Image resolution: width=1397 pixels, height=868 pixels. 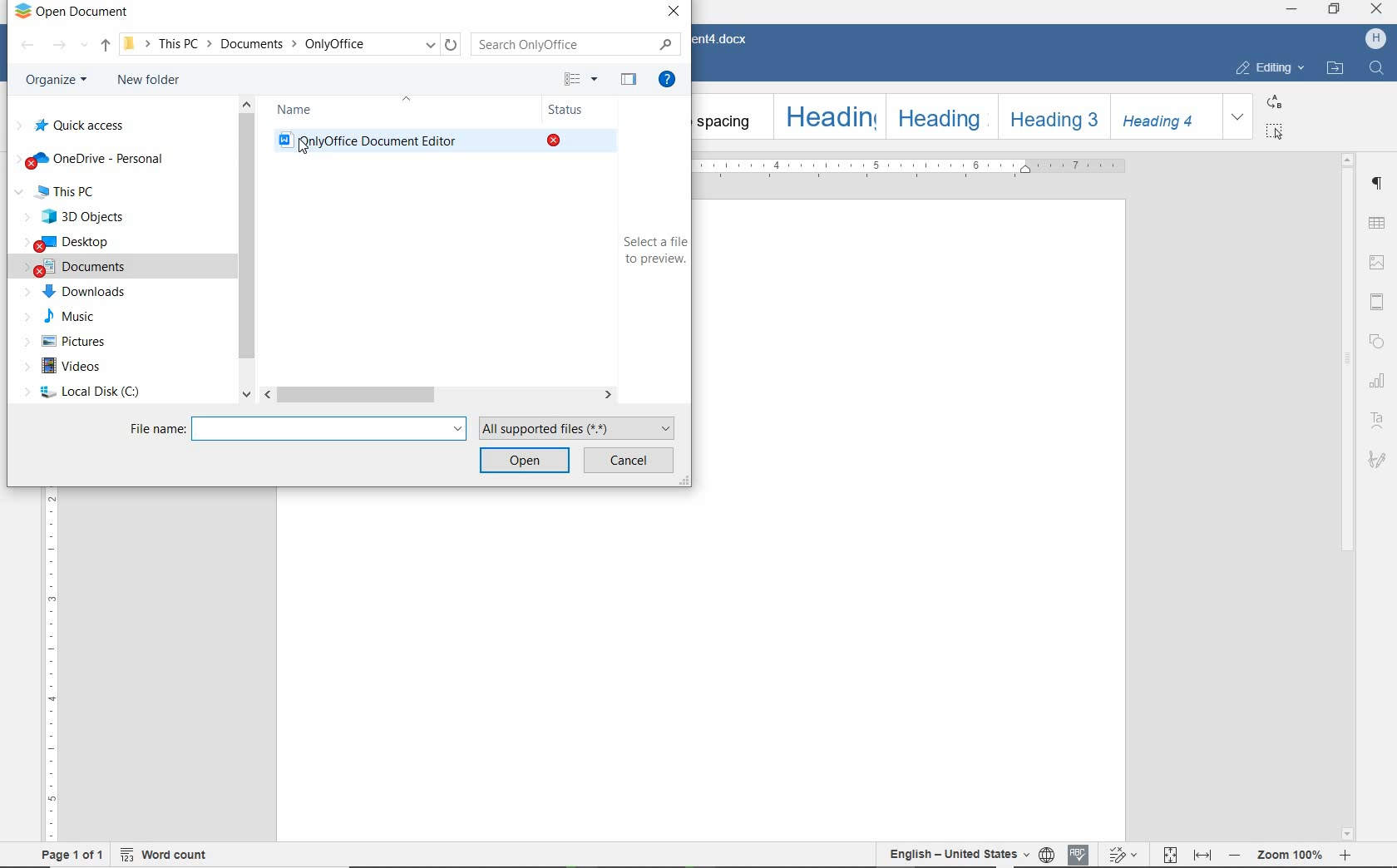 I want to click on name, so click(x=294, y=109).